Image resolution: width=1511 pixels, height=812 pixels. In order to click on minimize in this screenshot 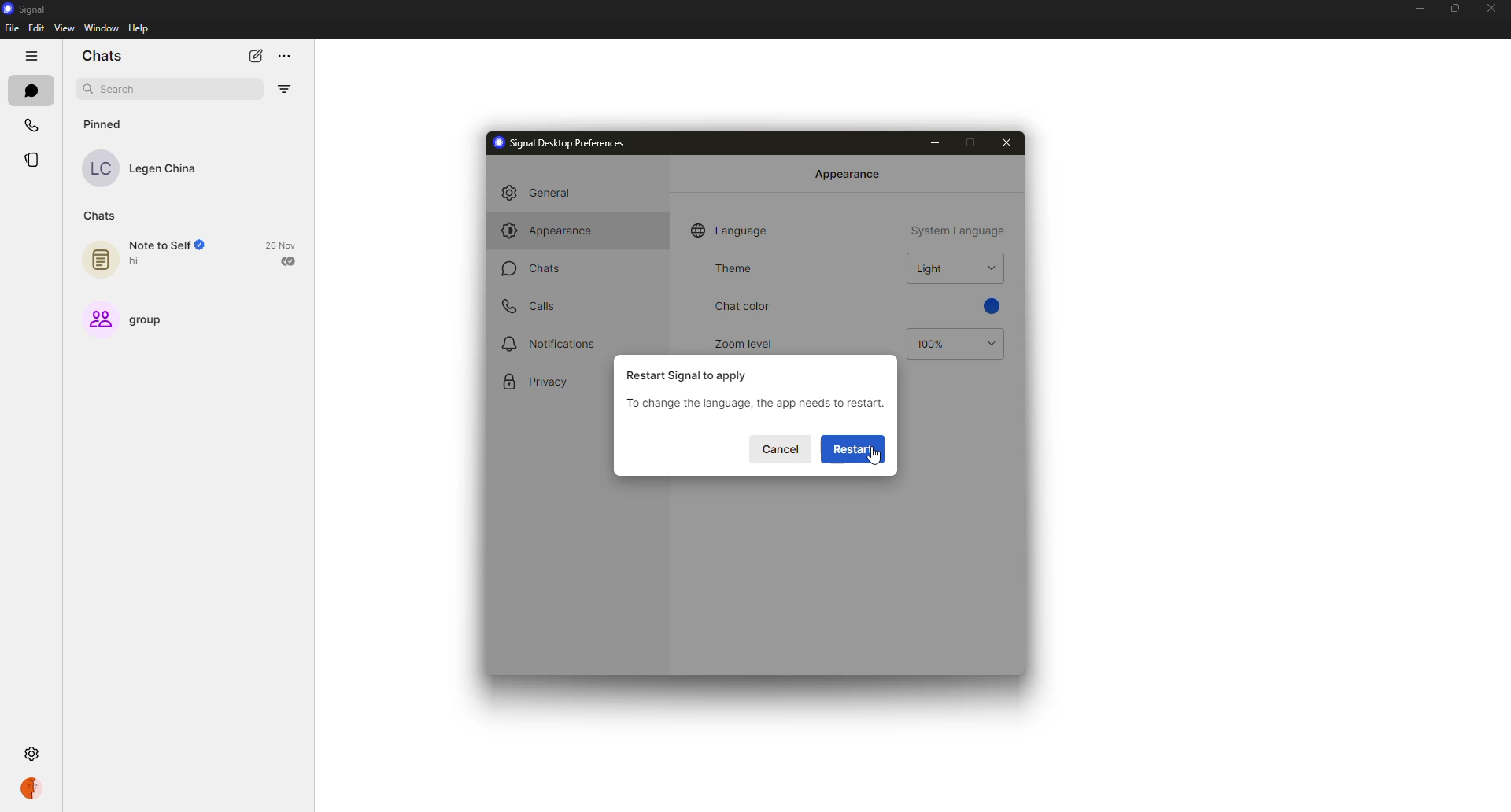, I will do `click(933, 142)`.